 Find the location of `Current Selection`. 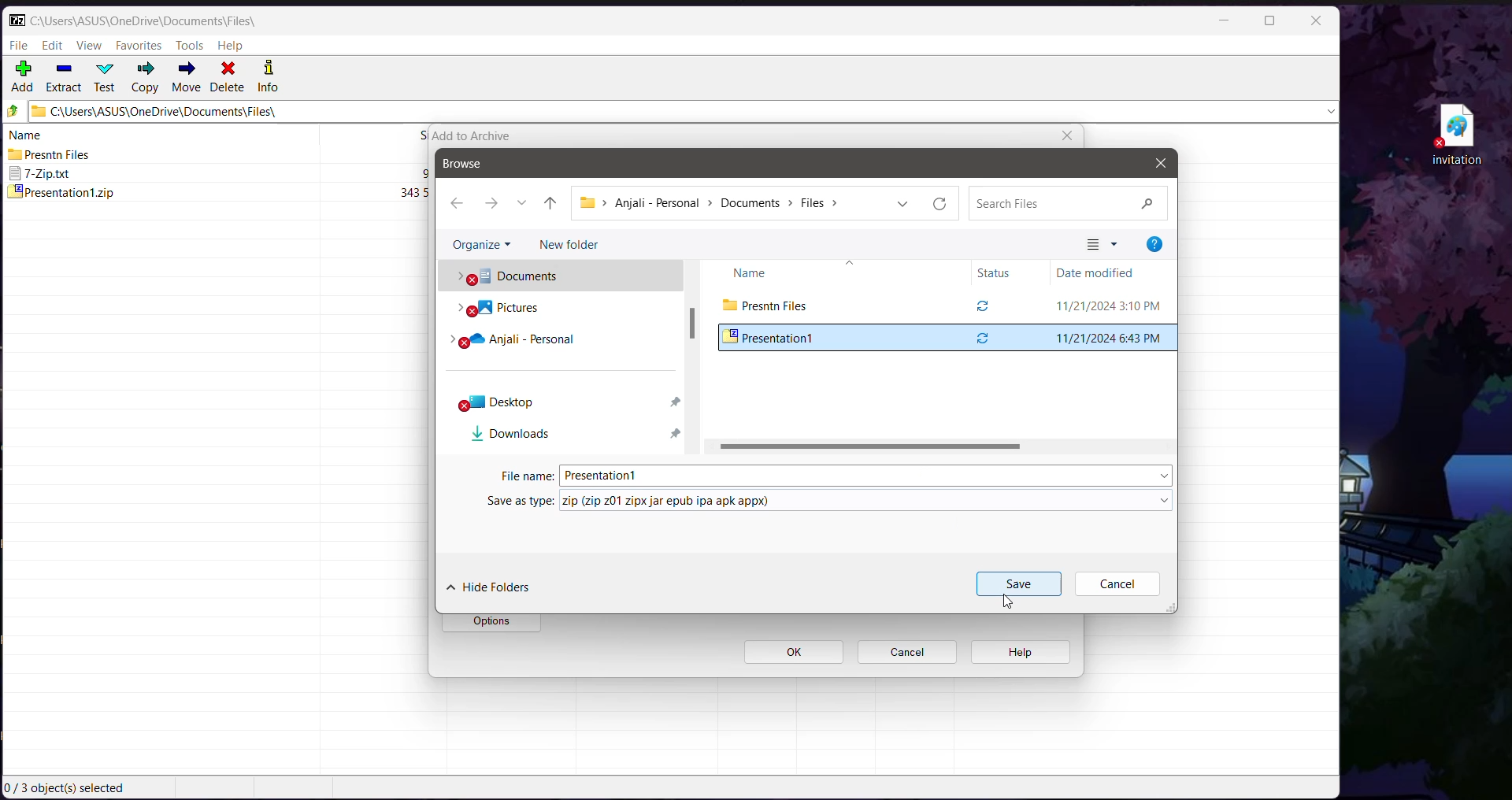

Current Selection is located at coordinates (70, 788).